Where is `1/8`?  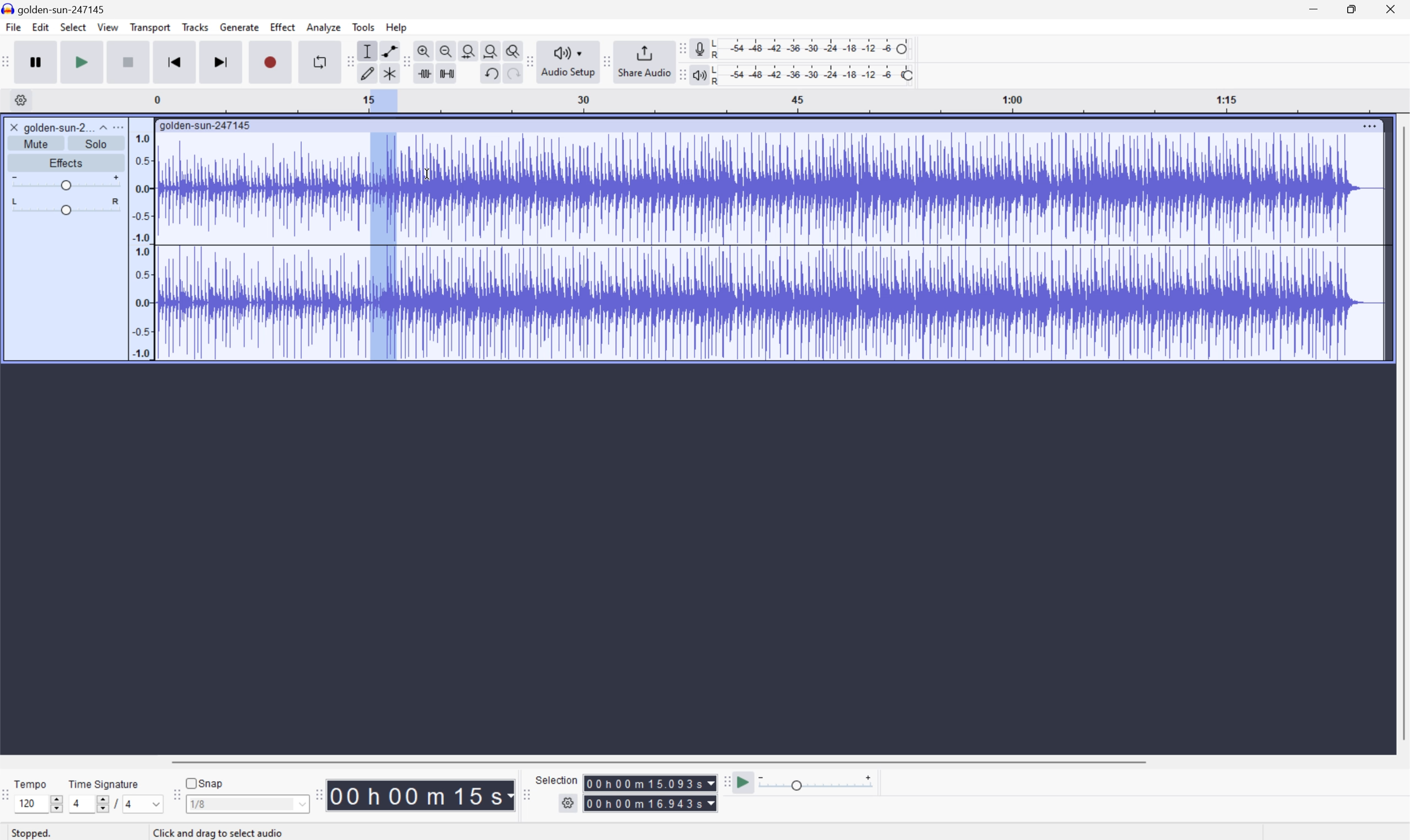 1/8 is located at coordinates (198, 803).